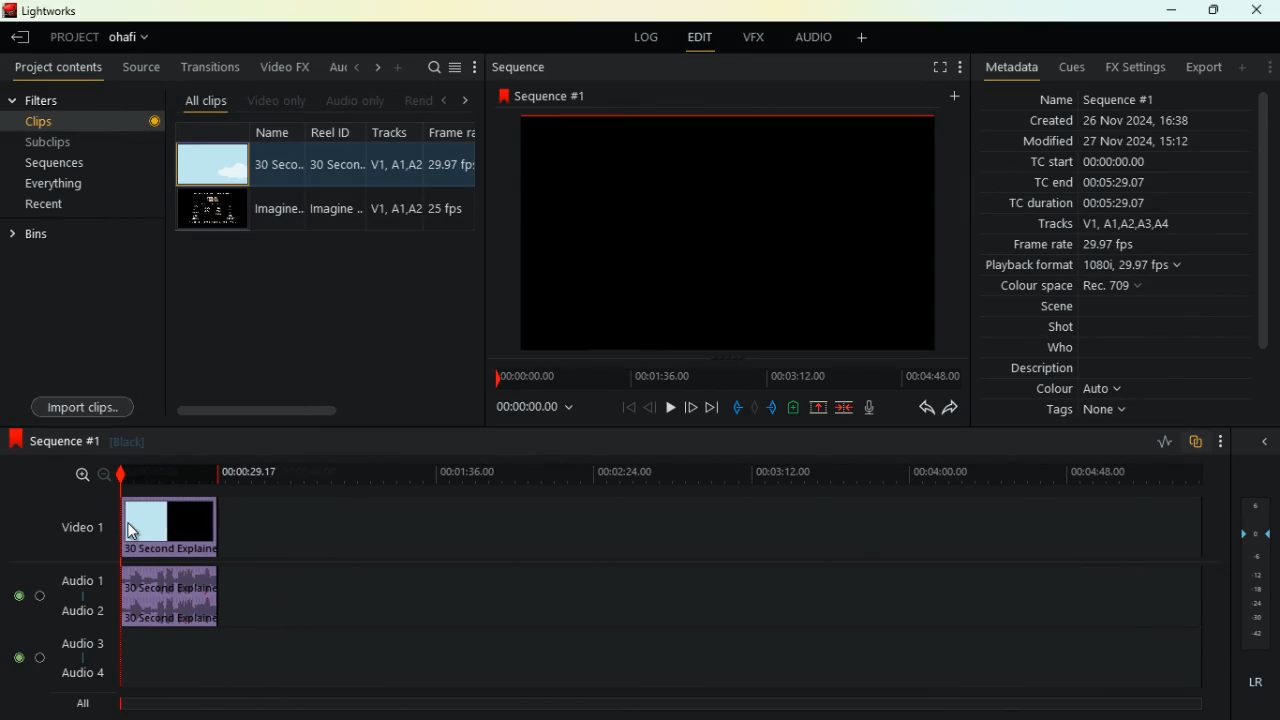 This screenshot has width=1280, height=720. What do you see at coordinates (398, 68) in the screenshot?
I see `more` at bounding box center [398, 68].